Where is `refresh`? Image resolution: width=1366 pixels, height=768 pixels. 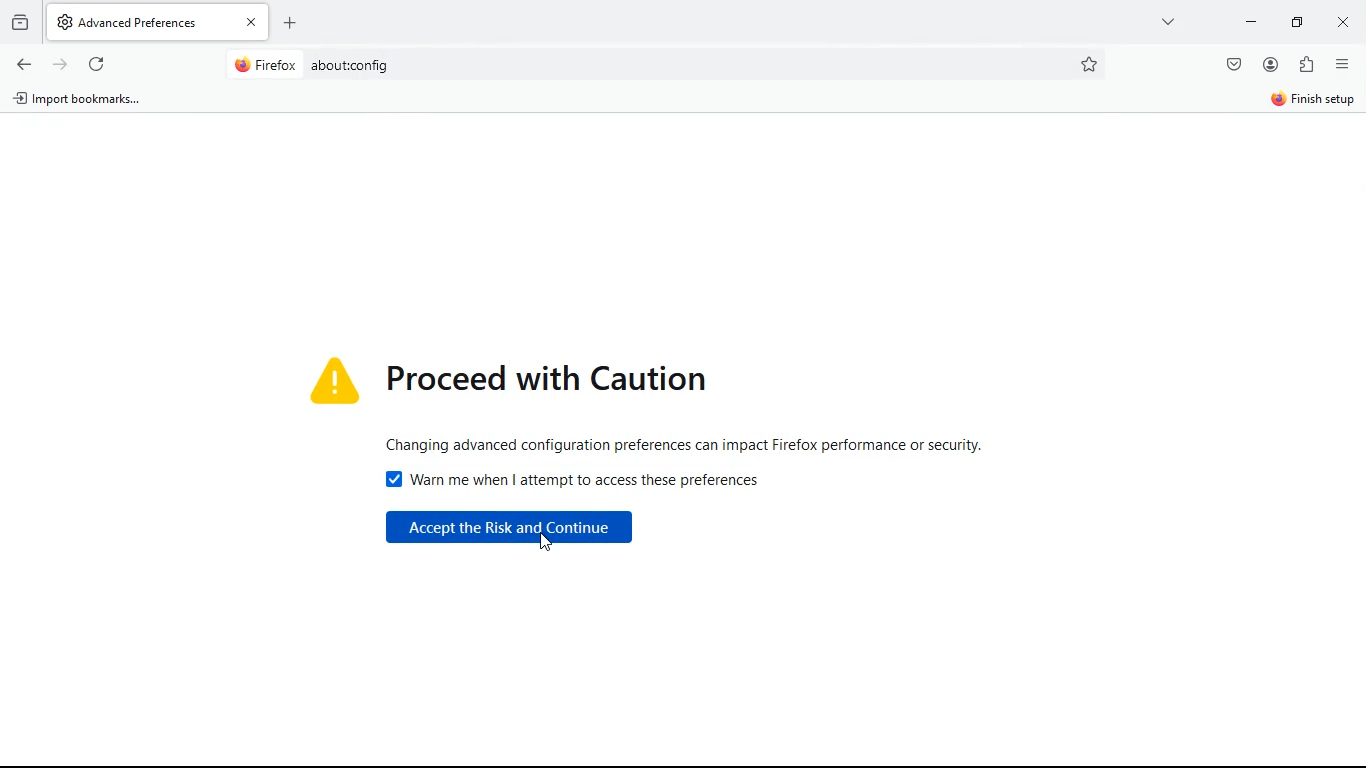
refresh is located at coordinates (99, 66).